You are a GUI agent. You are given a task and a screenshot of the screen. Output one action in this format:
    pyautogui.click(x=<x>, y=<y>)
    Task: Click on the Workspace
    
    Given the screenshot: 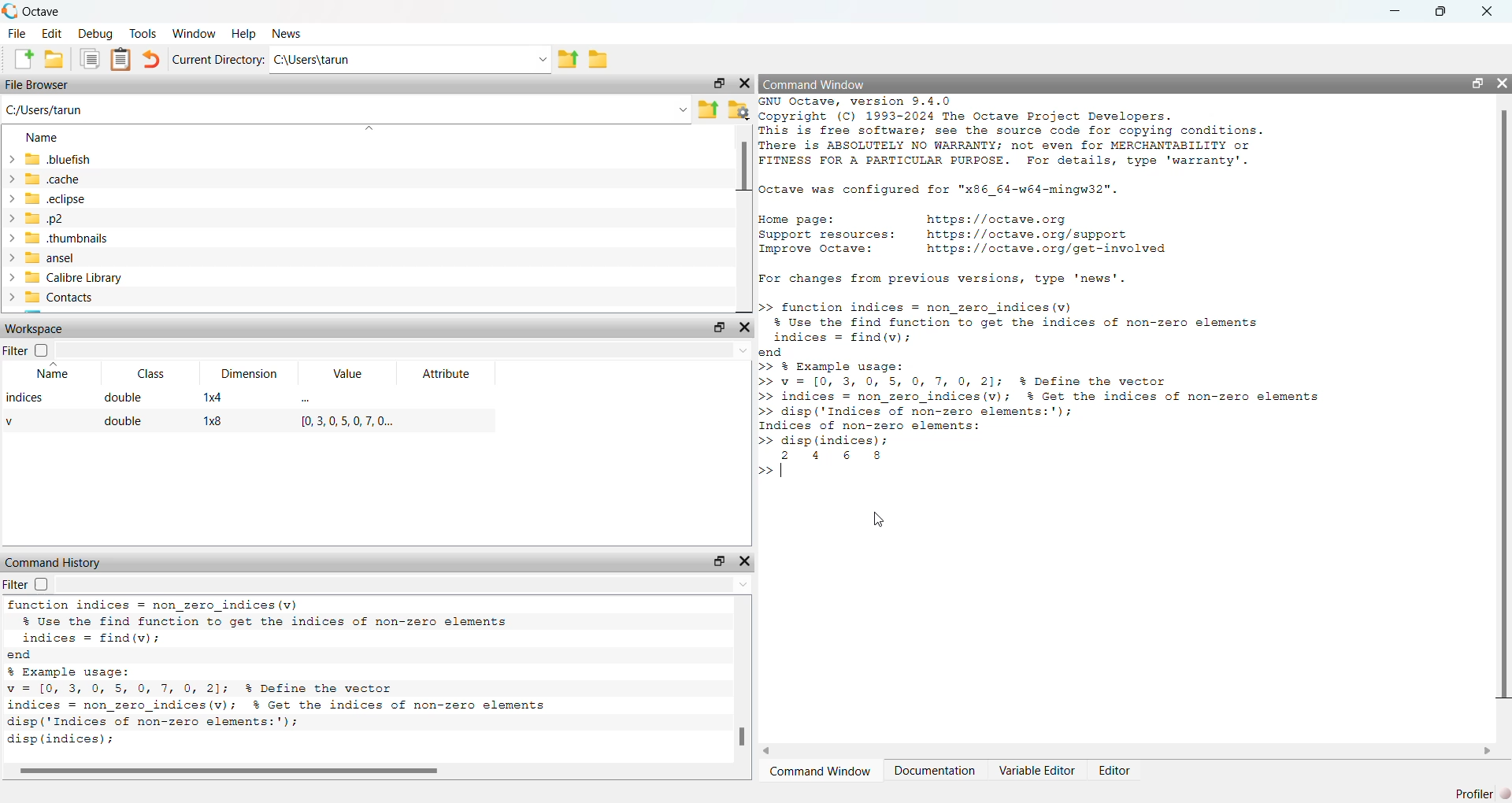 What is the action you would take?
    pyautogui.click(x=35, y=327)
    